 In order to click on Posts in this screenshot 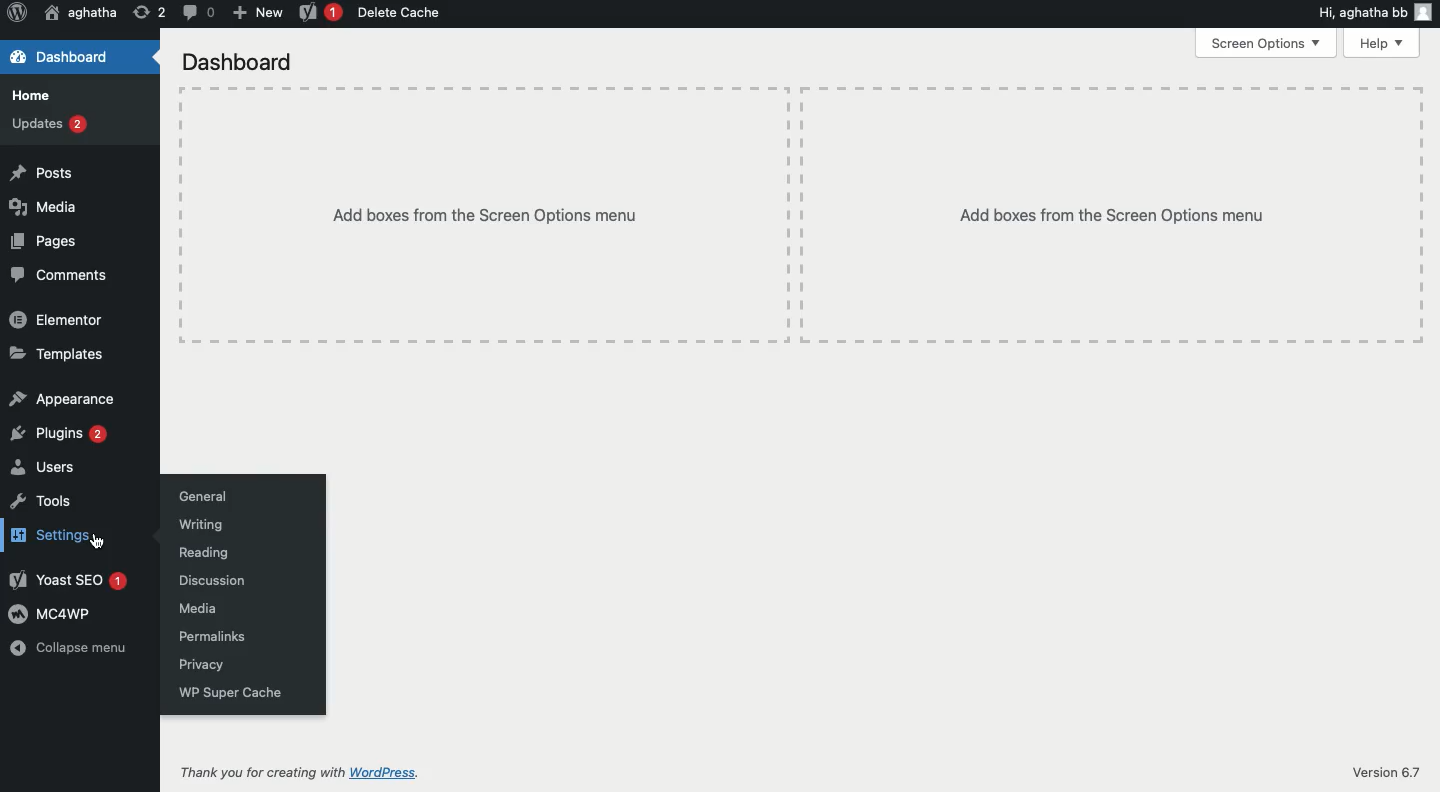, I will do `click(38, 173)`.